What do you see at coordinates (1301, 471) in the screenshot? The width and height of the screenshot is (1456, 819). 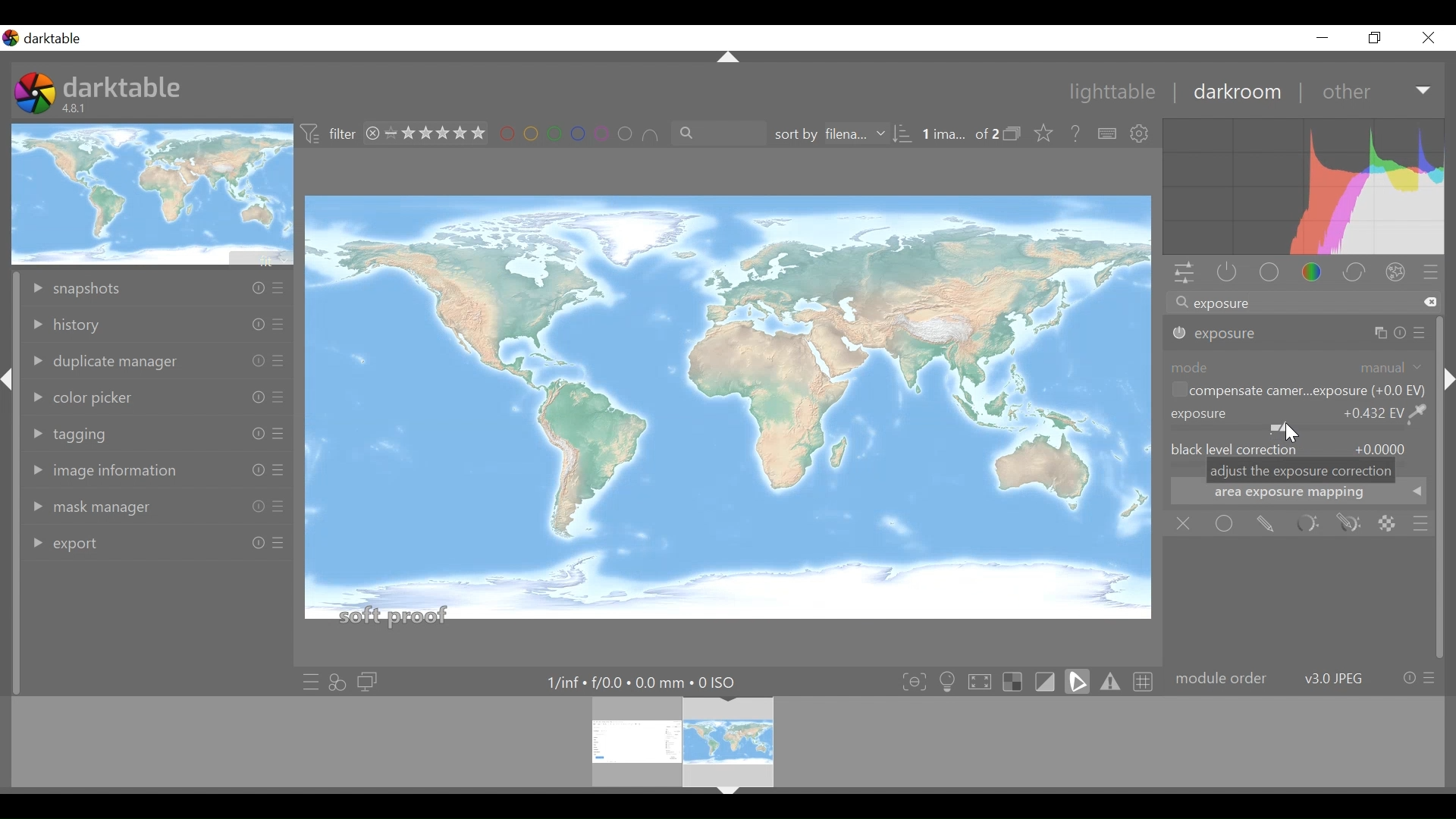 I see `adjust the exposure correction` at bounding box center [1301, 471].